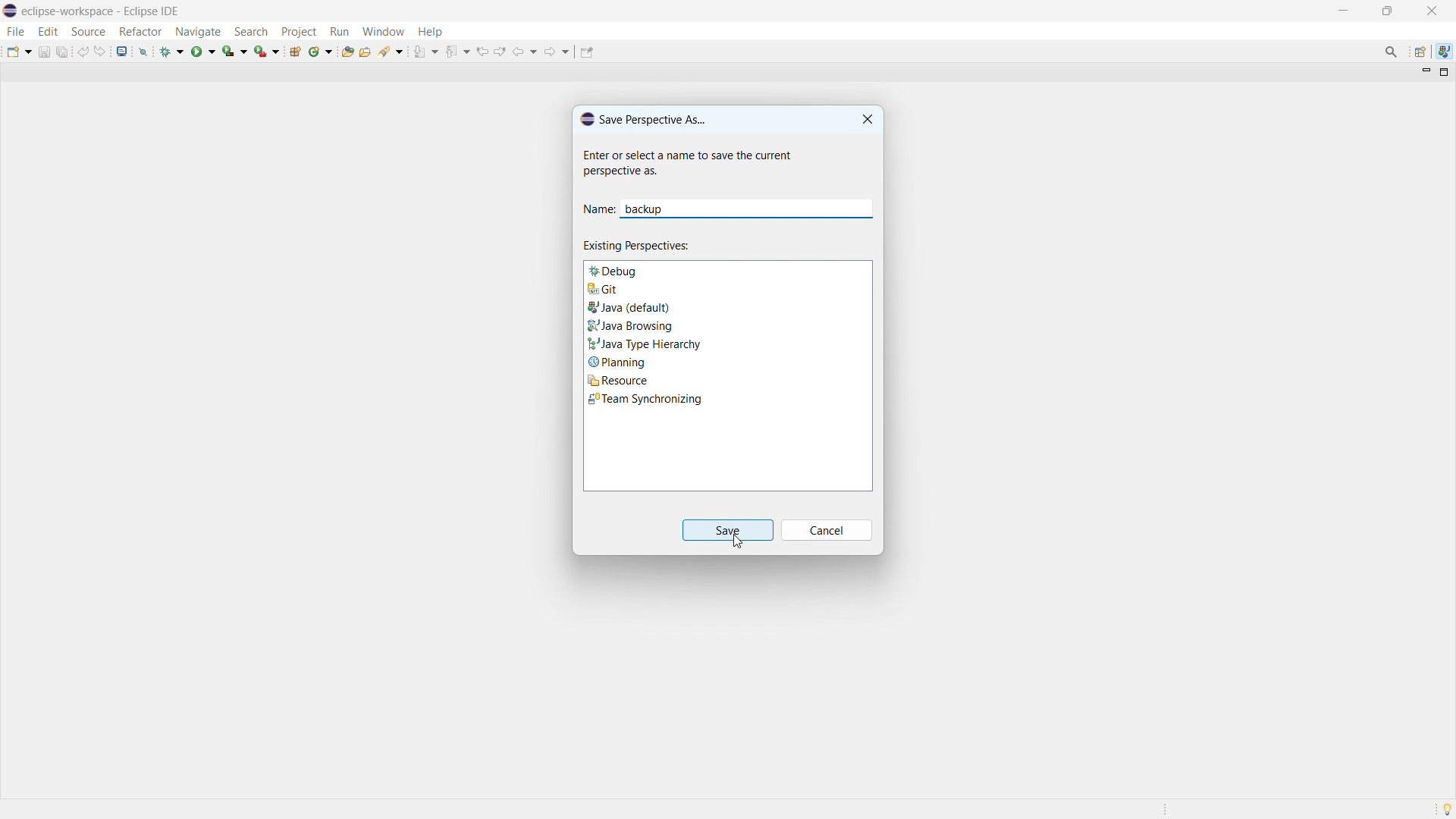 This screenshot has height=819, width=1456. I want to click on edit, so click(49, 31).